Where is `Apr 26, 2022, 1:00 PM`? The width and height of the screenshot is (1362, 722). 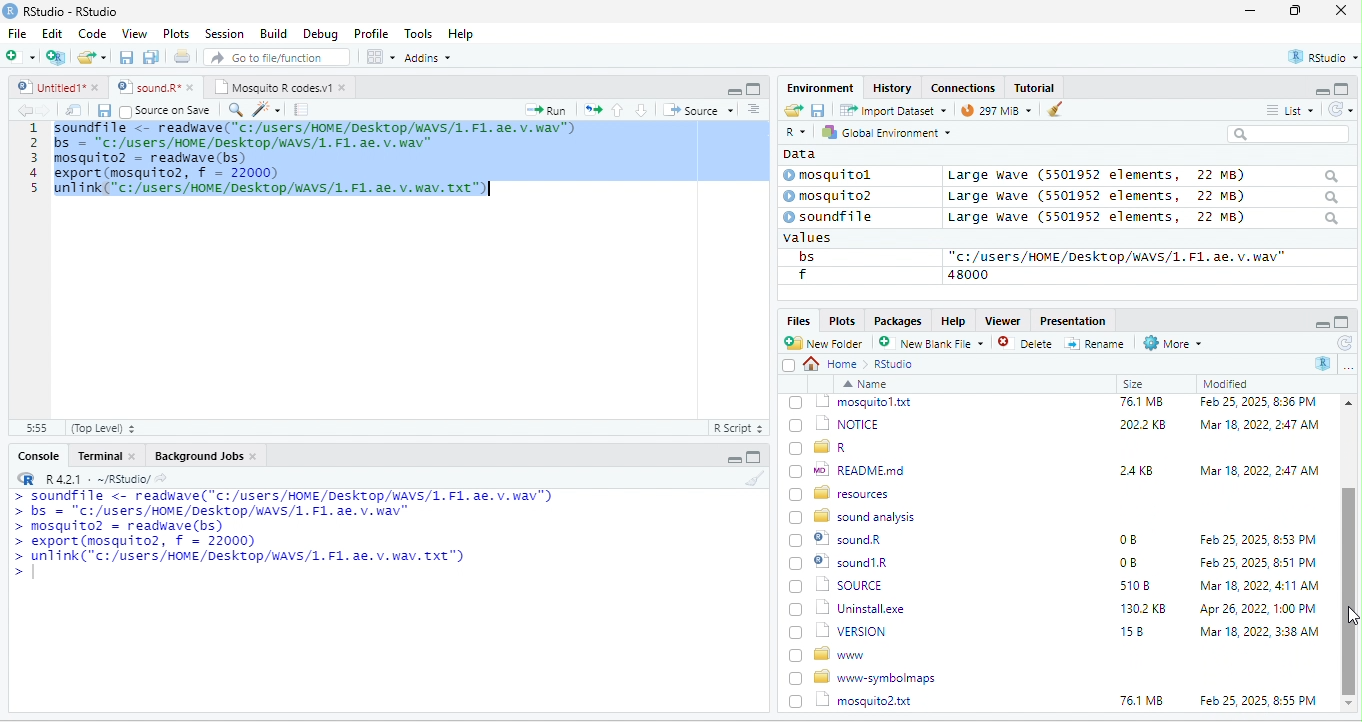 Apr 26, 2022, 1:00 PM is located at coordinates (1260, 706).